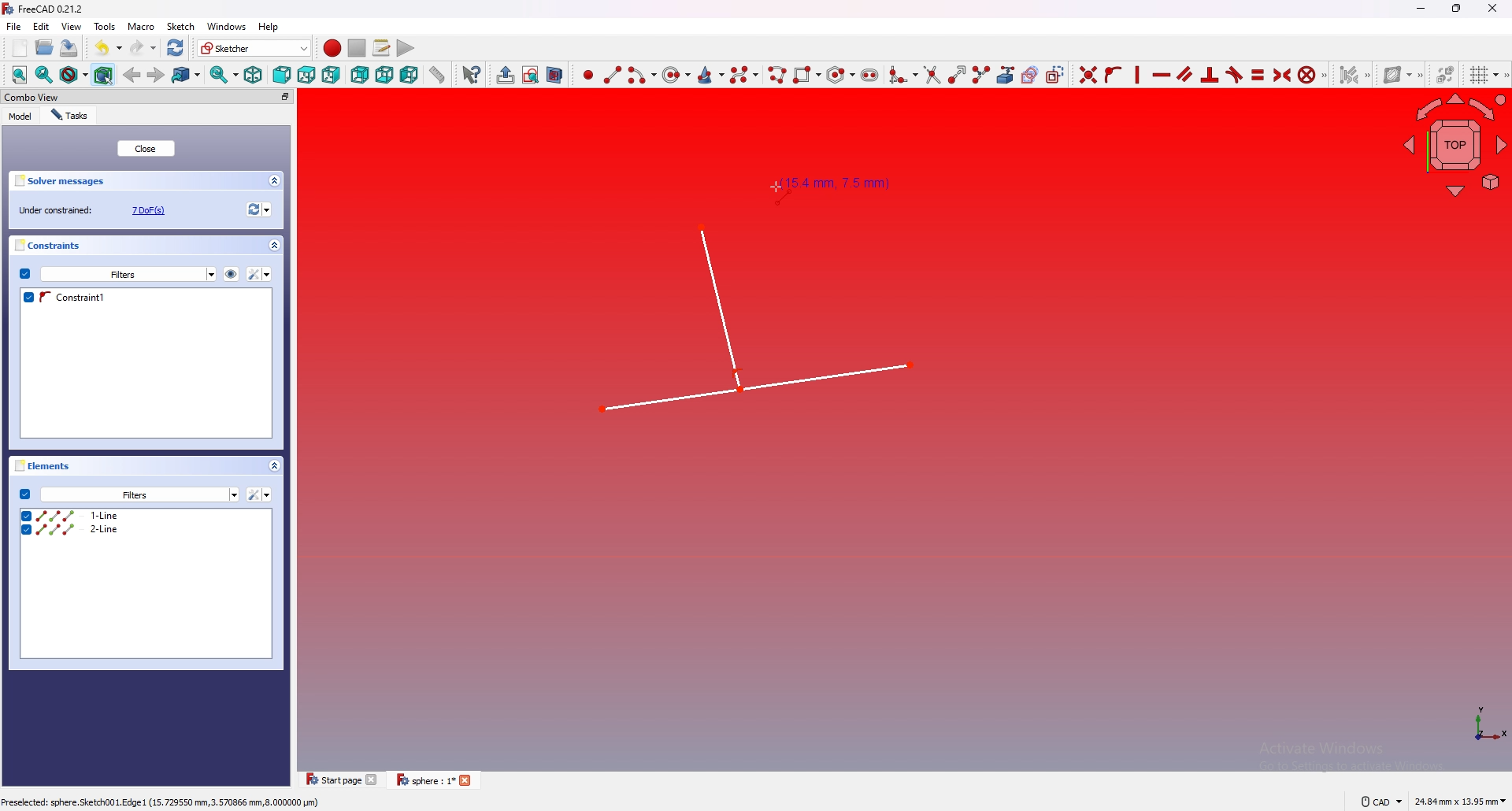 This screenshot has width=1512, height=811. Describe the element at coordinates (1454, 147) in the screenshot. I see `View` at that location.